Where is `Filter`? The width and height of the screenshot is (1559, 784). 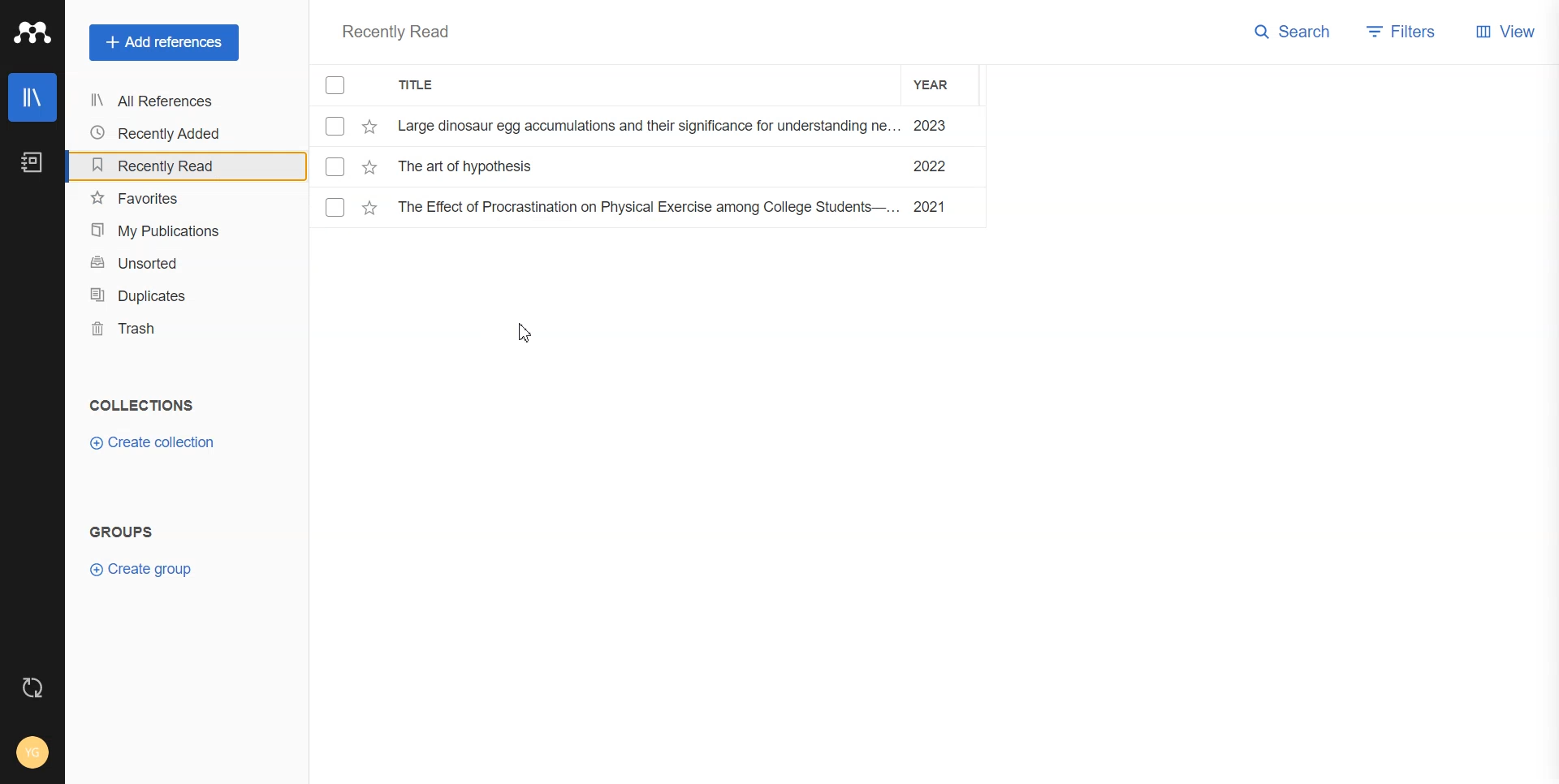 Filter is located at coordinates (1403, 33).